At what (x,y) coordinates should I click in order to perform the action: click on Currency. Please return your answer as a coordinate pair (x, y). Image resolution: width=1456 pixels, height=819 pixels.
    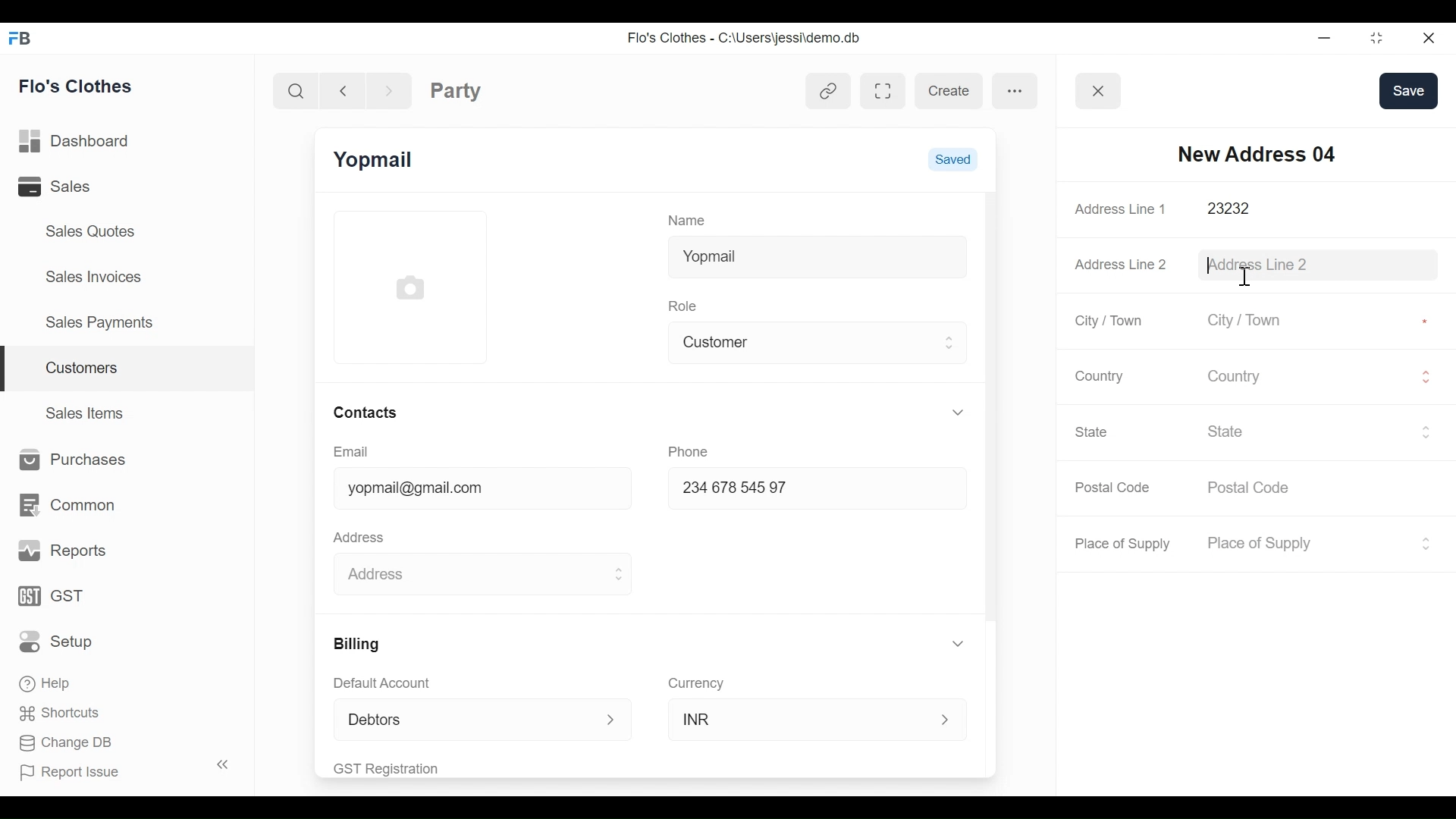
    Looking at the image, I should click on (697, 682).